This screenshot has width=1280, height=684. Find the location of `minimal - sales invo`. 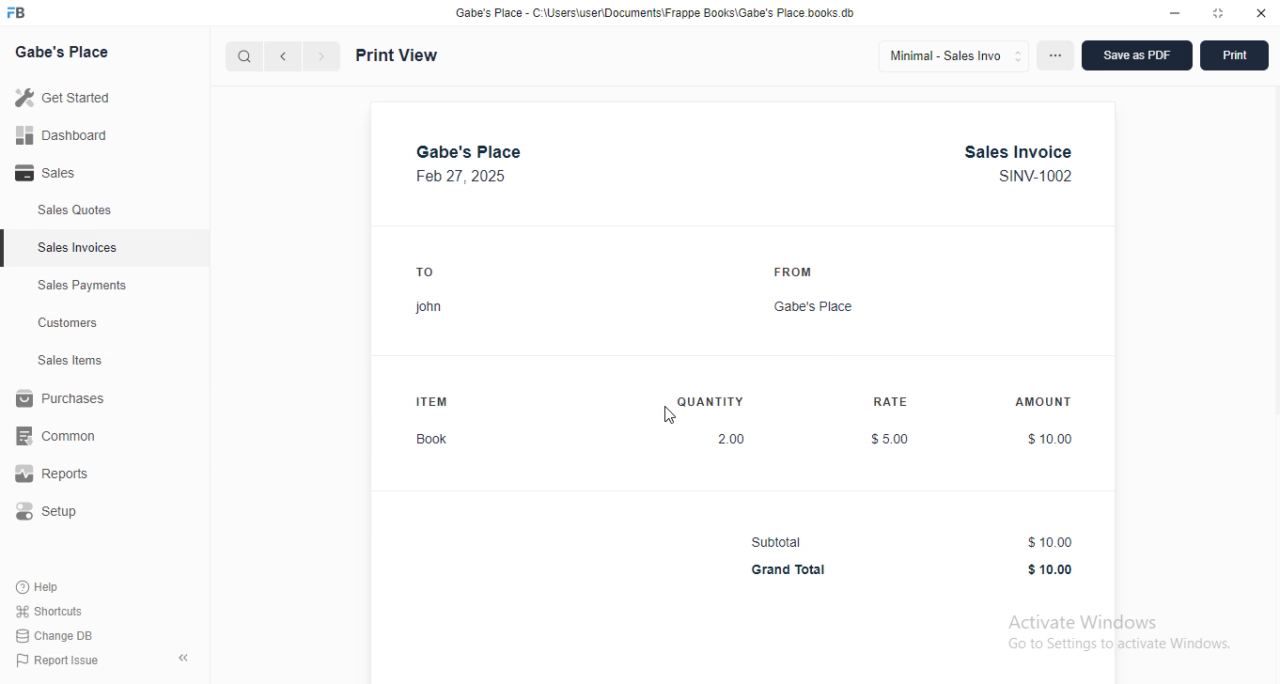

minimal - sales invo is located at coordinates (953, 56).